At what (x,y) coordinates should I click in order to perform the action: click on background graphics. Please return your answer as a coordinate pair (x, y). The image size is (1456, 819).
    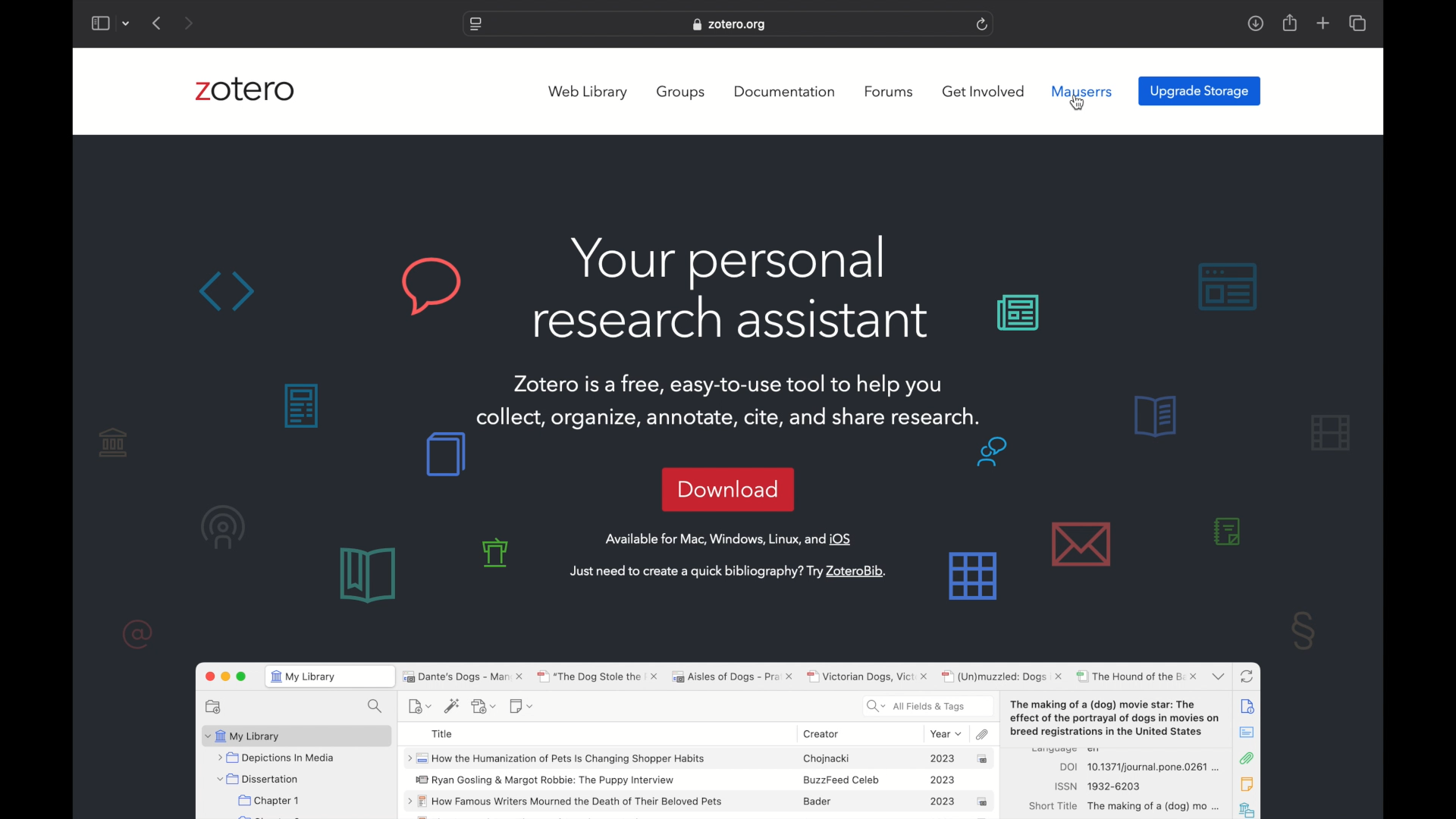
    Looking at the image, I should click on (500, 553).